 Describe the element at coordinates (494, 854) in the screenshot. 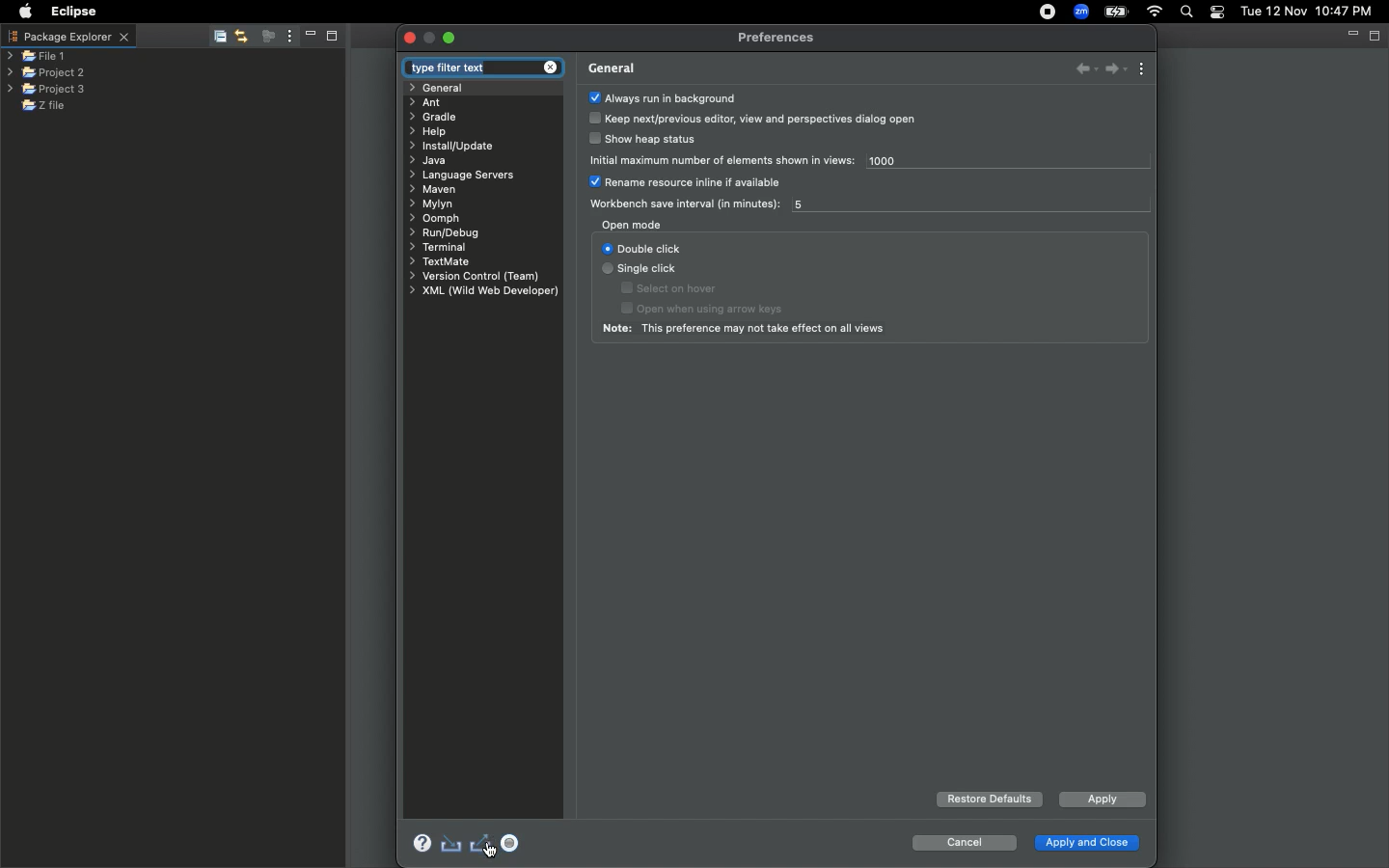

I see `cursor` at that location.